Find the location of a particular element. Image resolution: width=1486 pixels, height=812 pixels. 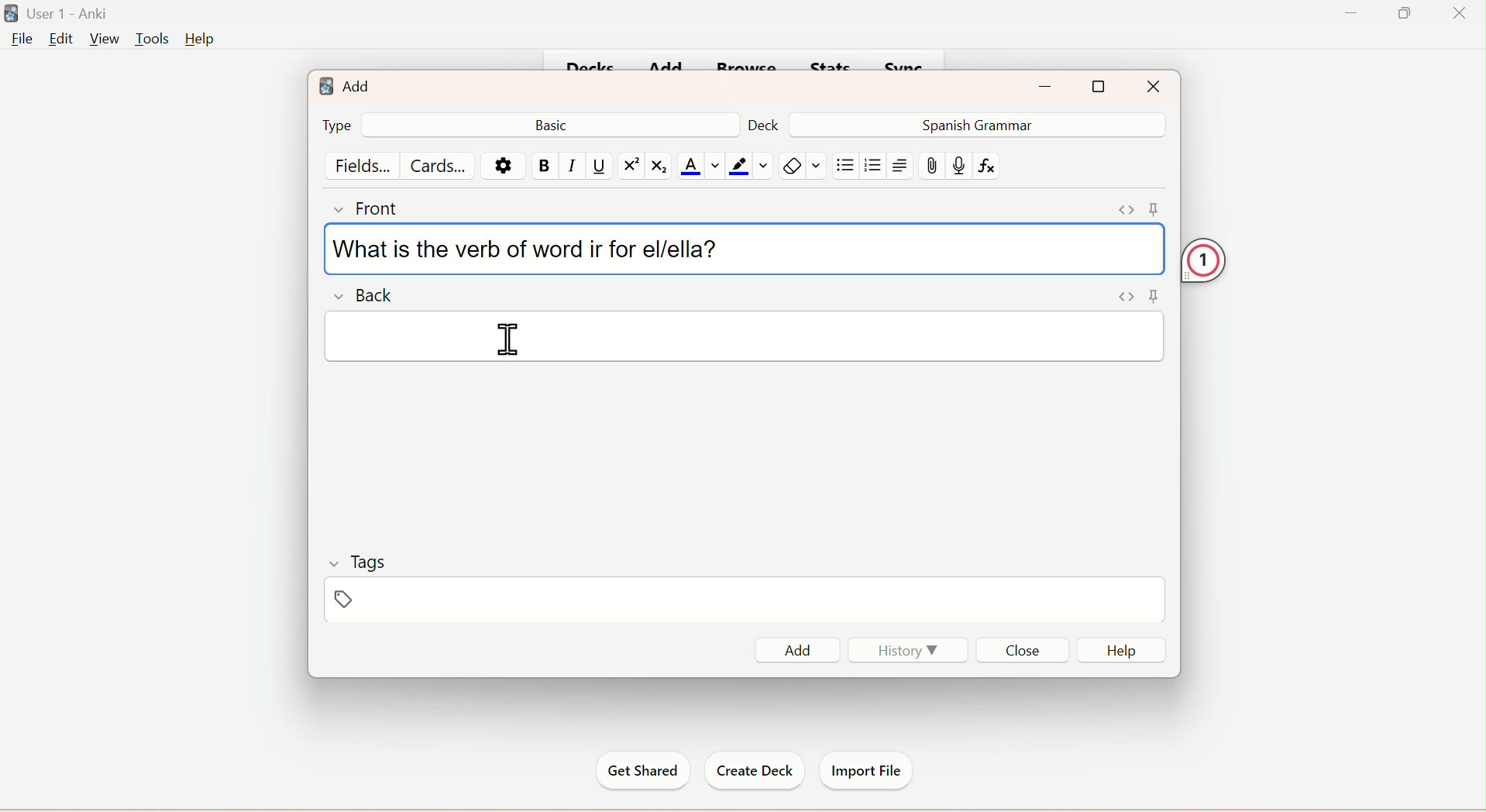

Front is located at coordinates (370, 207).